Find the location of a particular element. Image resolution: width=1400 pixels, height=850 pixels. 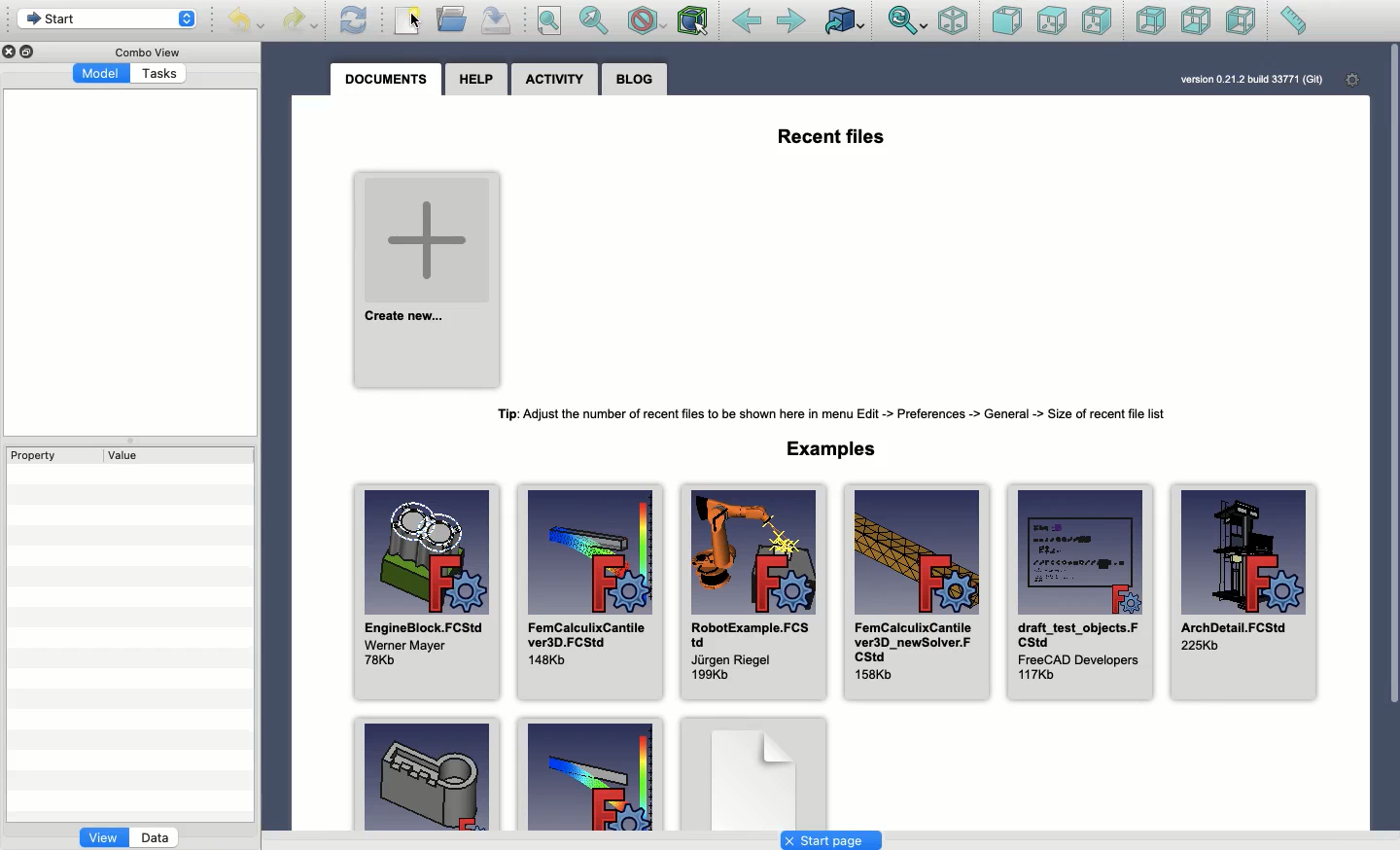

Back is located at coordinates (746, 22).